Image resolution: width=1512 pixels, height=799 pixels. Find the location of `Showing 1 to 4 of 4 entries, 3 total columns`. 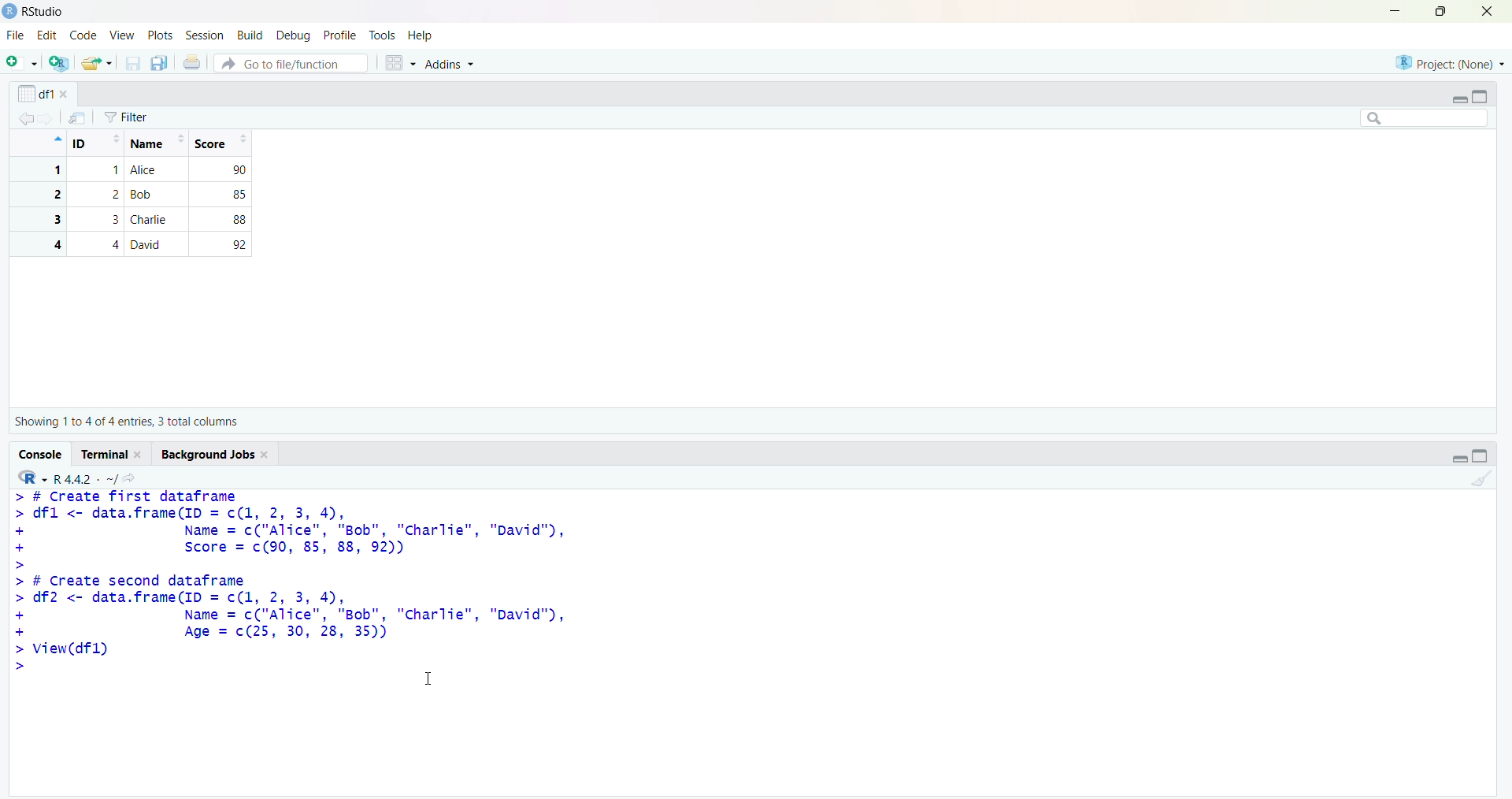

Showing 1 to 4 of 4 entries, 3 total columns is located at coordinates (126, 422).